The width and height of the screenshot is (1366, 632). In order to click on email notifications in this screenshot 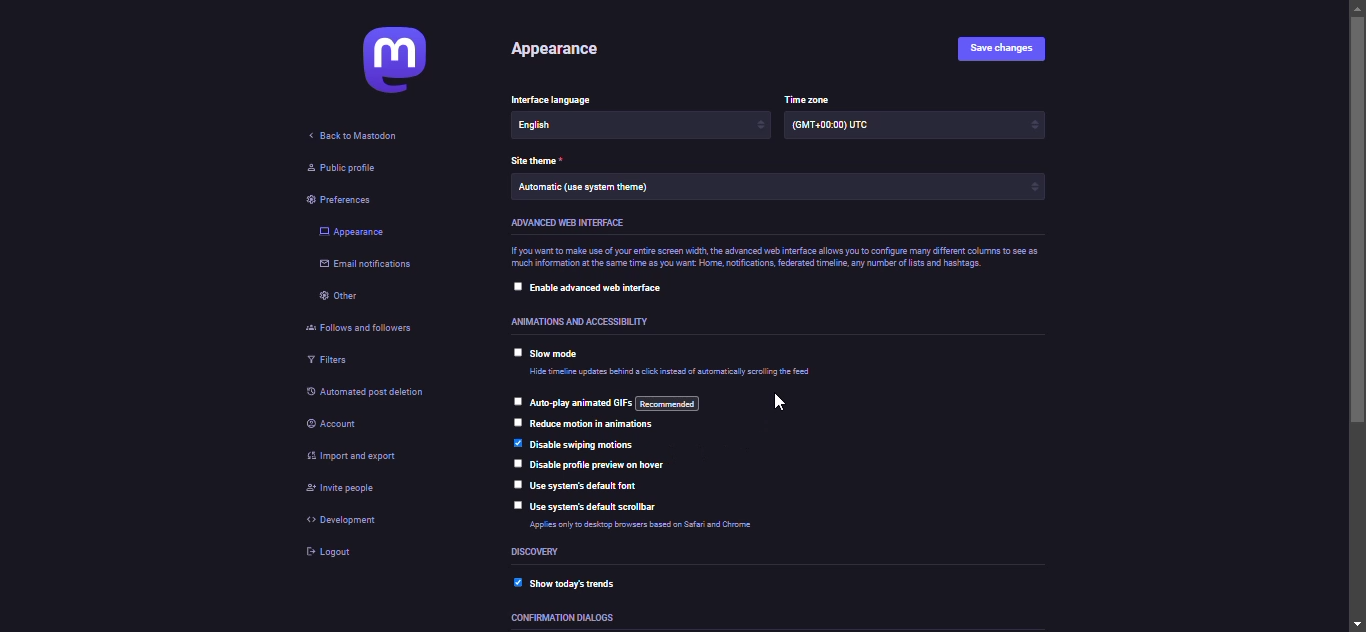, I will do `click(367, 265)`.